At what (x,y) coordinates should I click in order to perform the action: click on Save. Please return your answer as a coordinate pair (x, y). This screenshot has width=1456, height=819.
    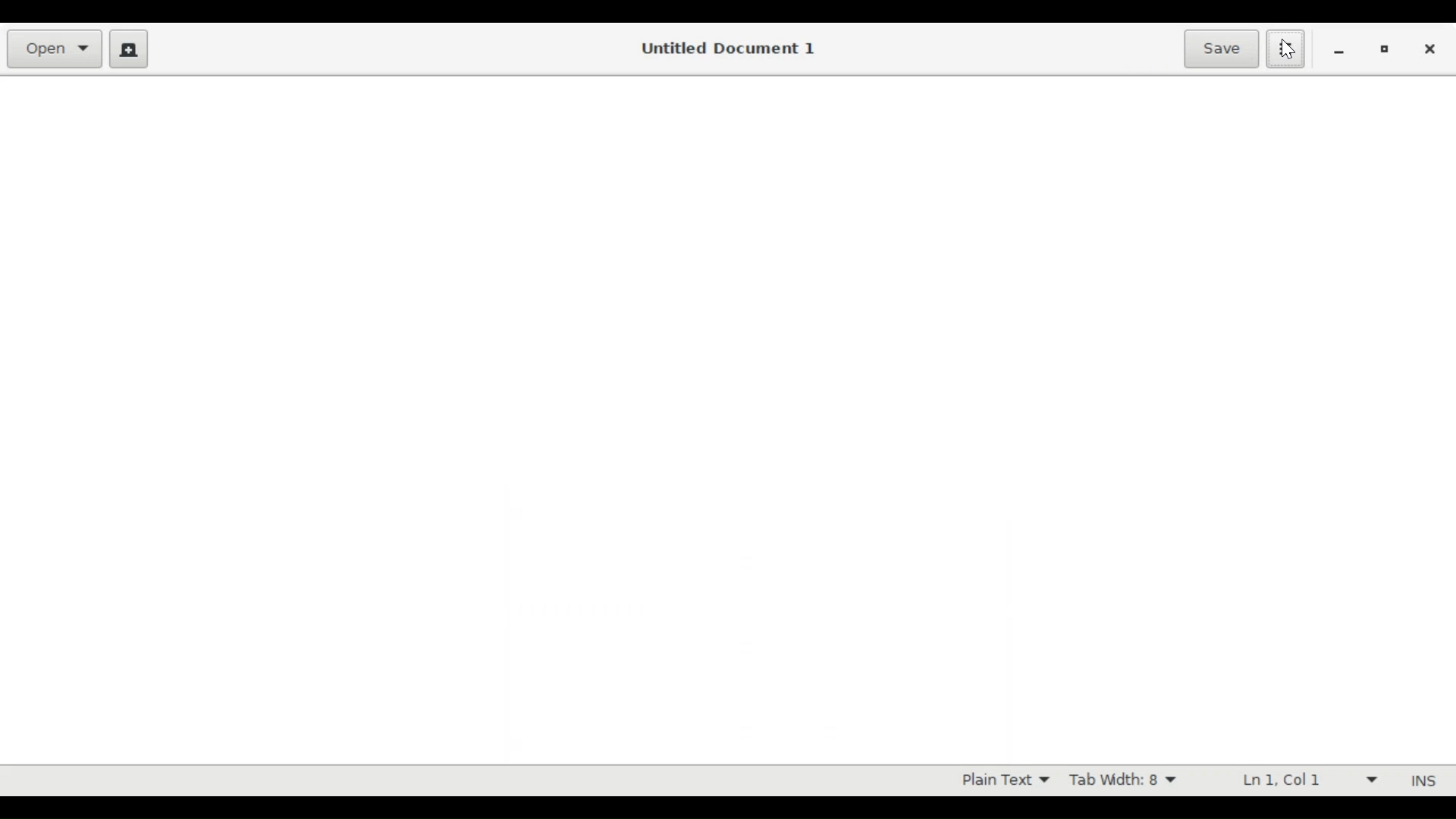
    Looking at the image, I should click on (1221, 48).